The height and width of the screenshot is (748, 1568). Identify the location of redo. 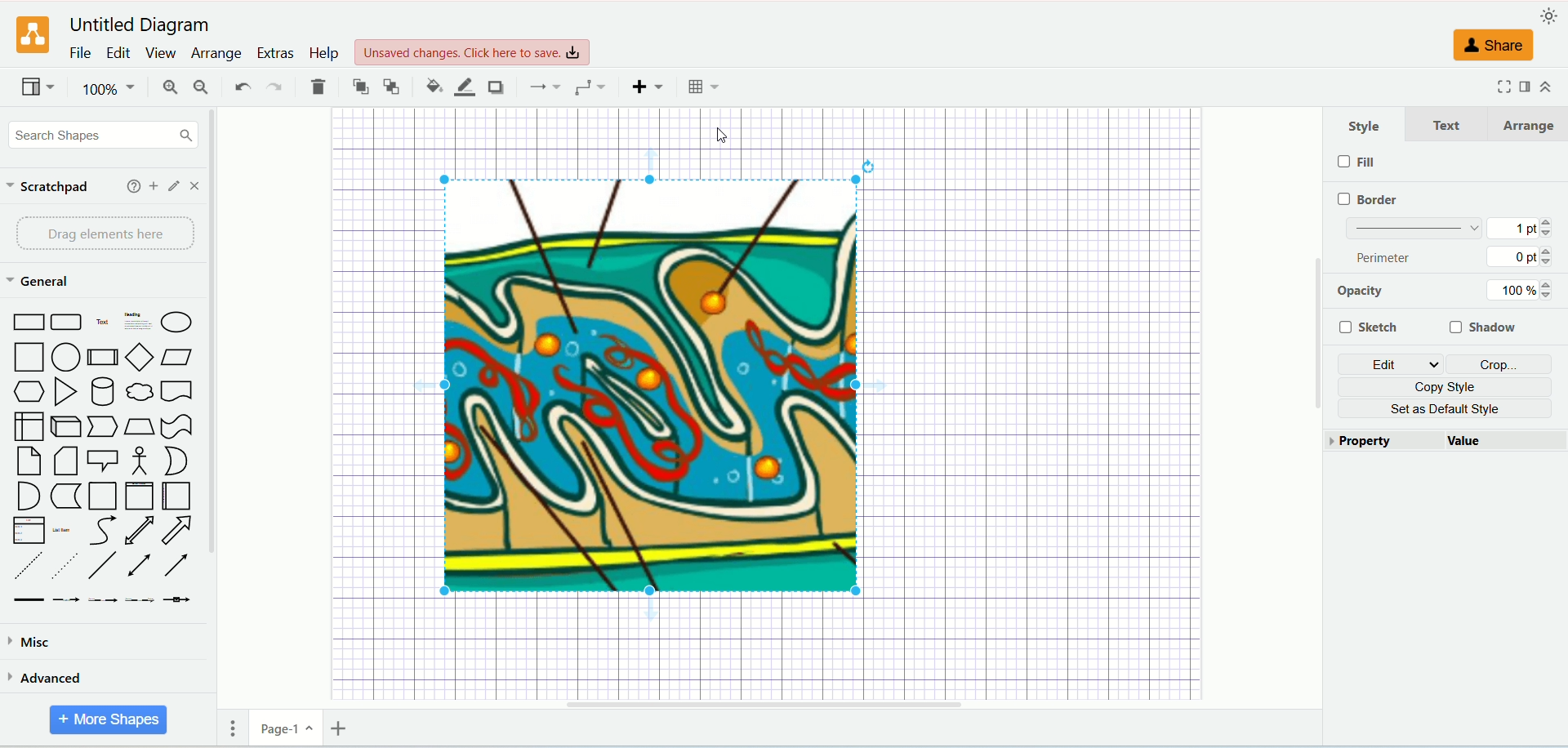
(275, 88).